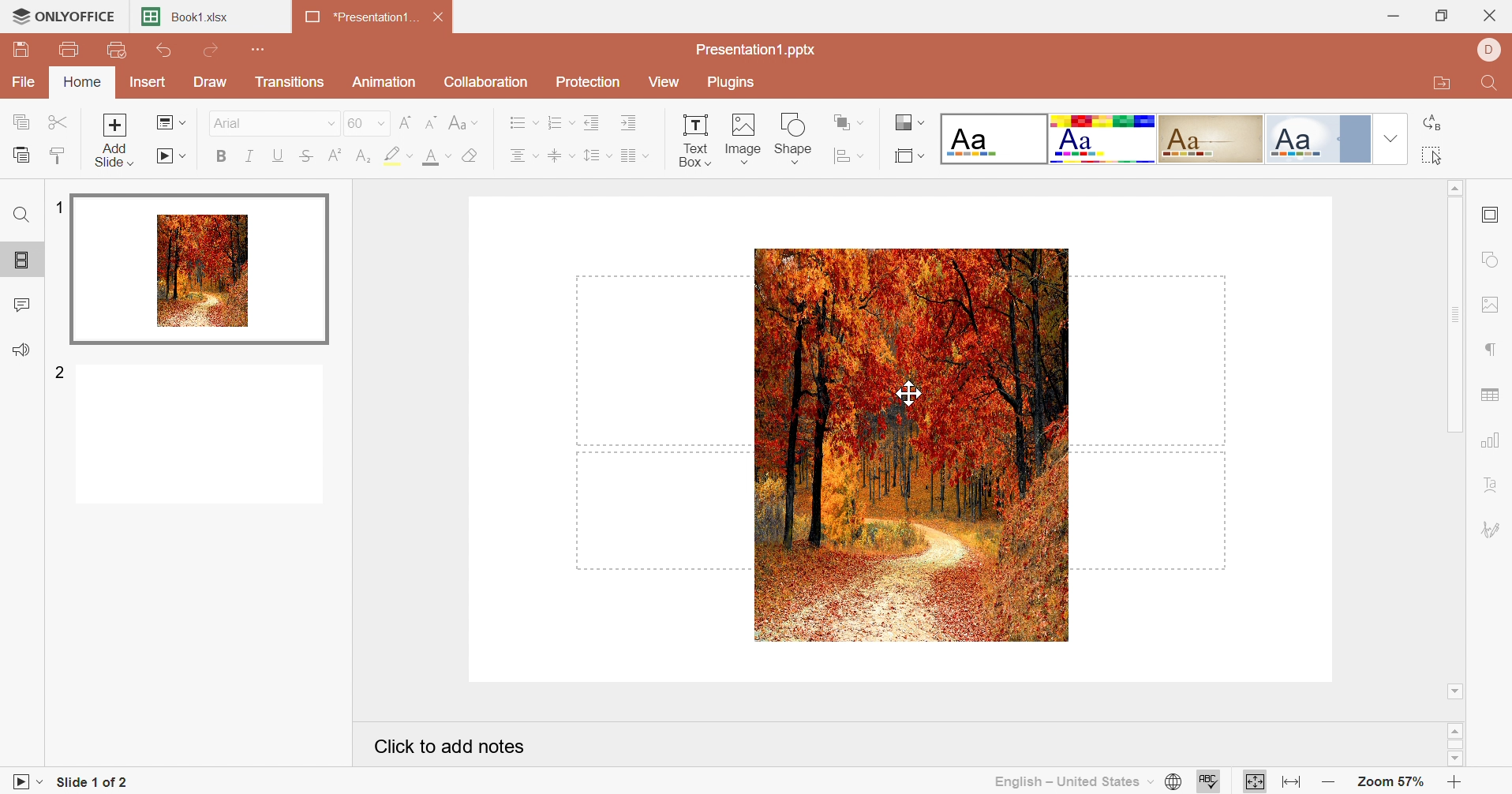  I want to click on *Presentation1..., so click(362, 18).